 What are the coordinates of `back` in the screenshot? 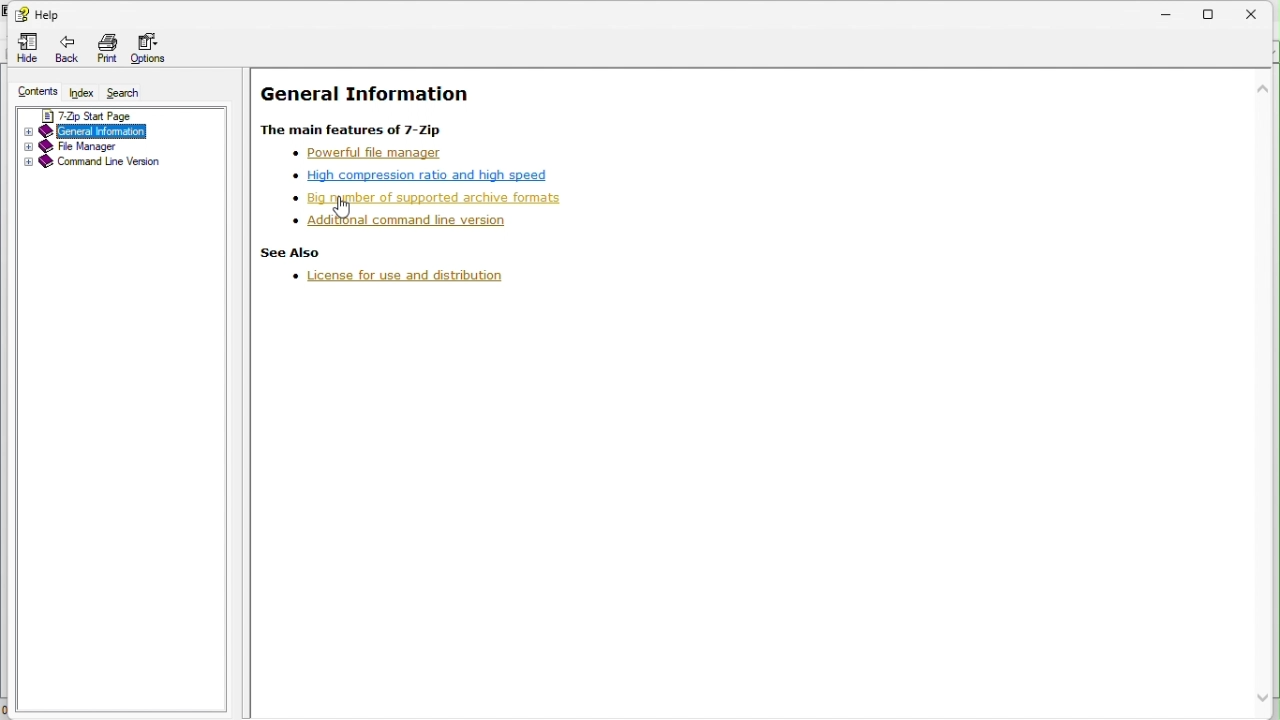 It's located at (64, 46).